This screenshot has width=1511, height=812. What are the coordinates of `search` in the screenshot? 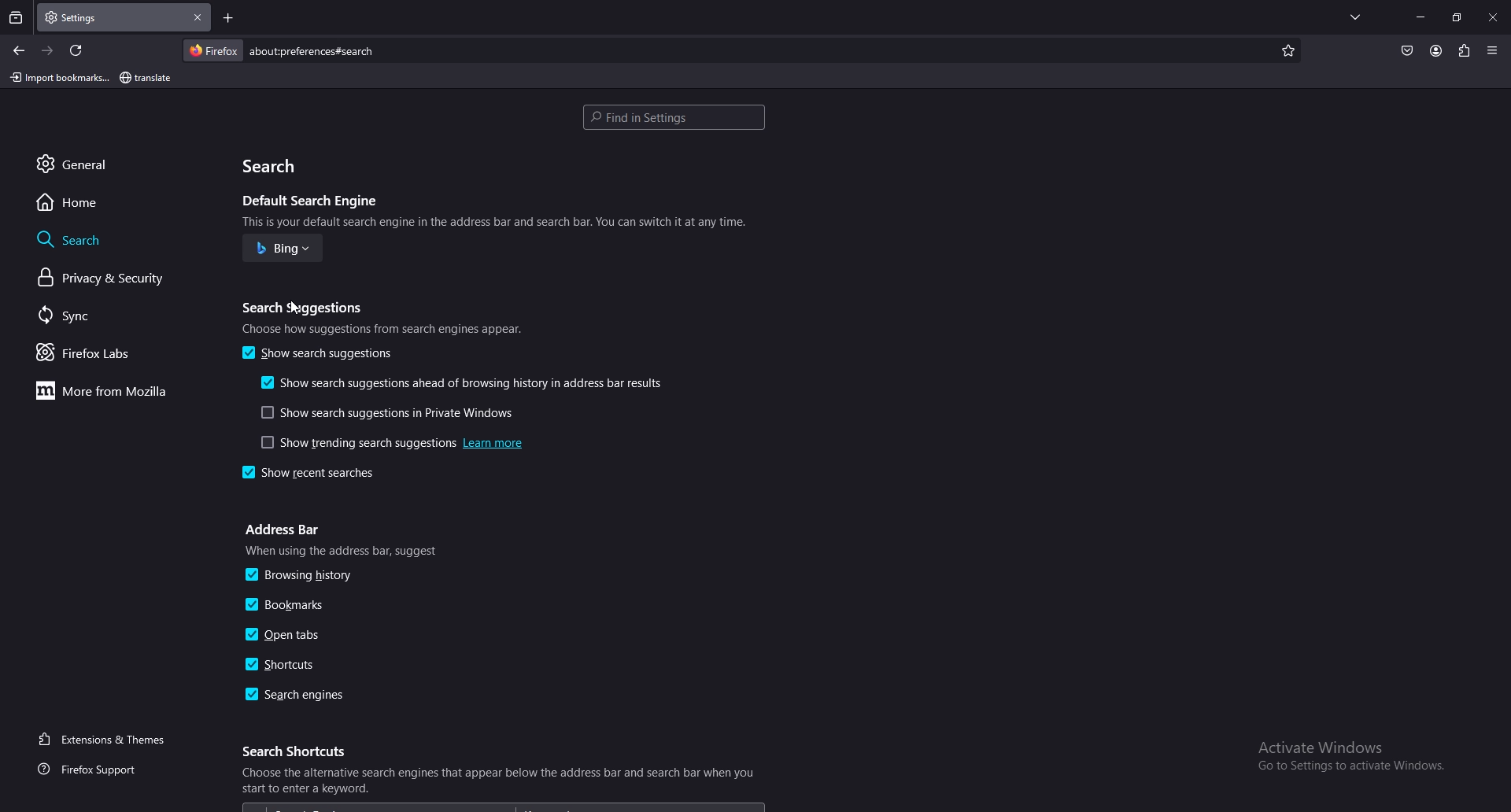 It's located at (118, 238).